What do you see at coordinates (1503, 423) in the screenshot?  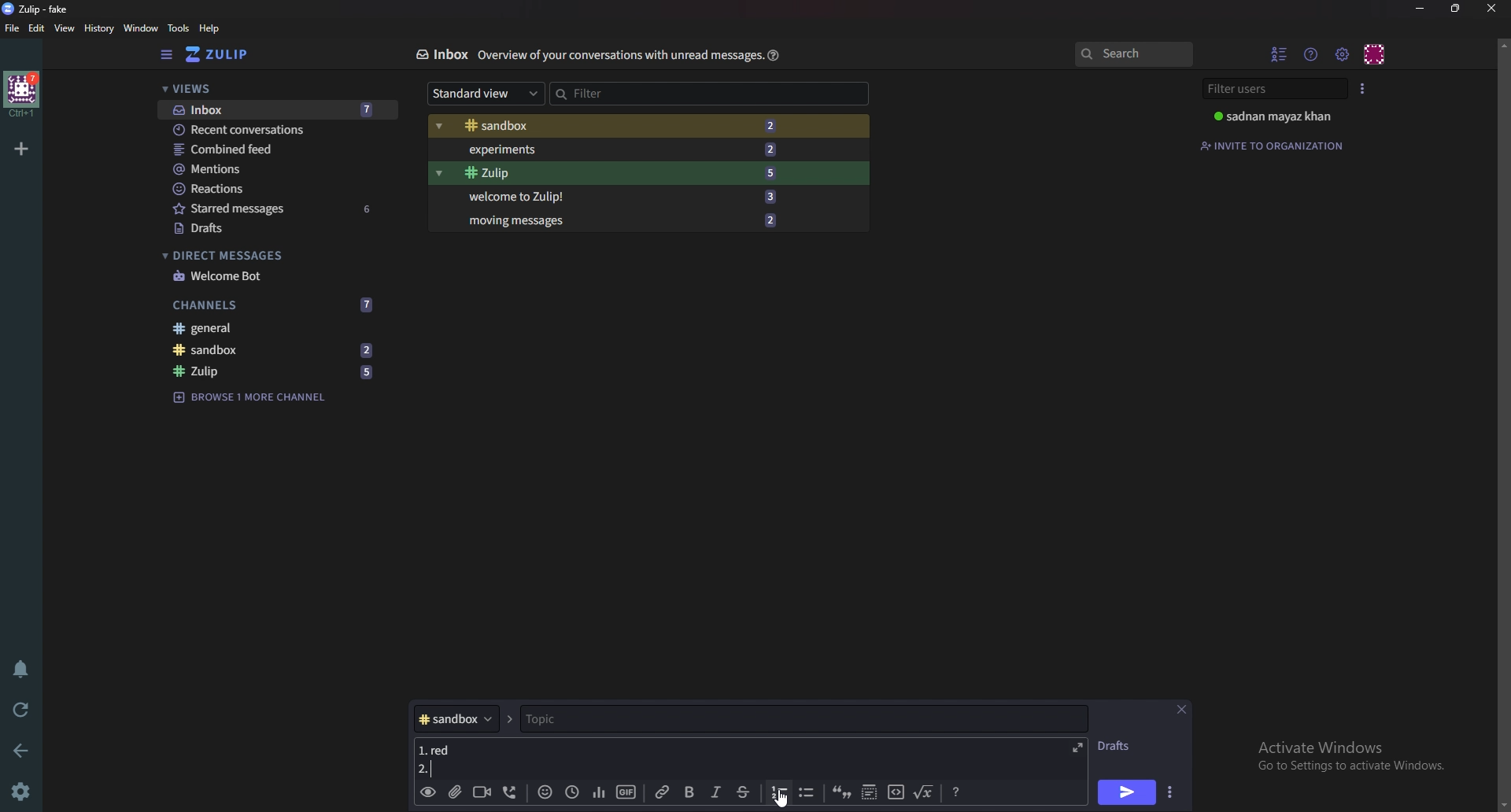 I see `scroll bar` at bounding box center [1503, 423].